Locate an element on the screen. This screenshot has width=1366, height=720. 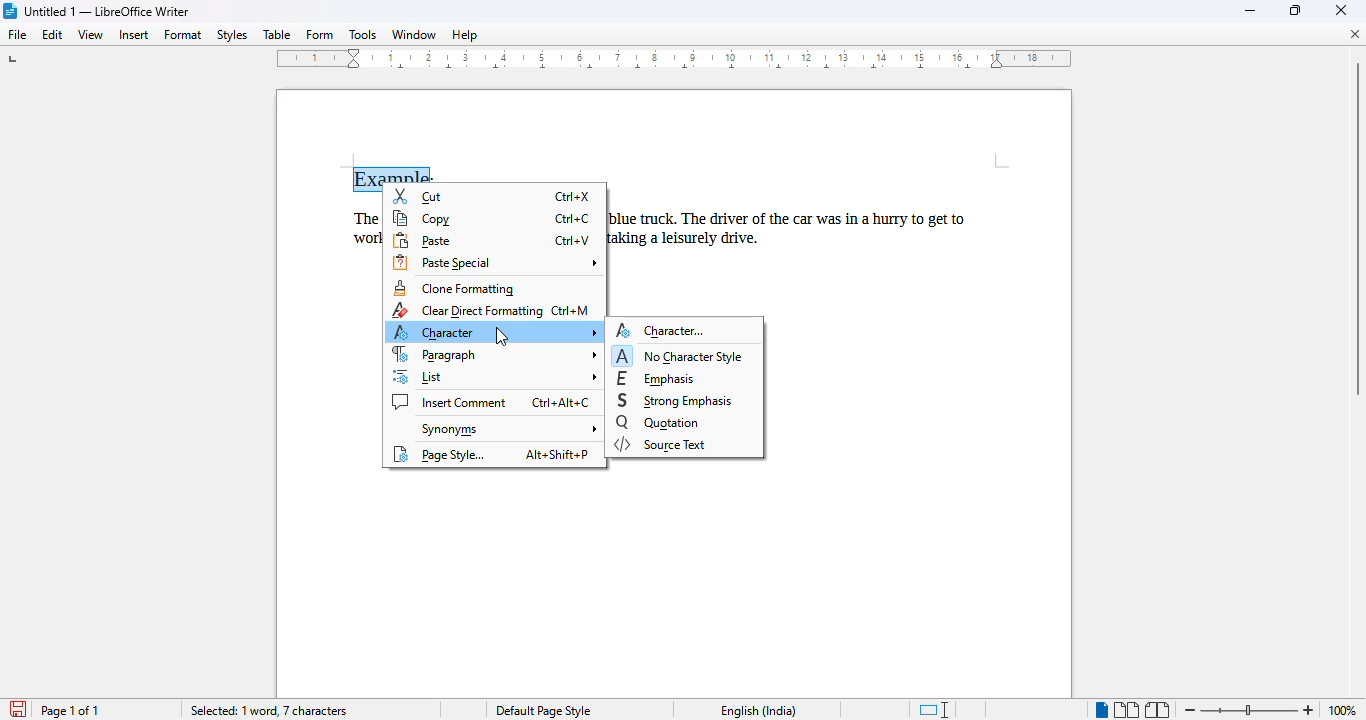
emphasis is located at coordinates (657, 378).